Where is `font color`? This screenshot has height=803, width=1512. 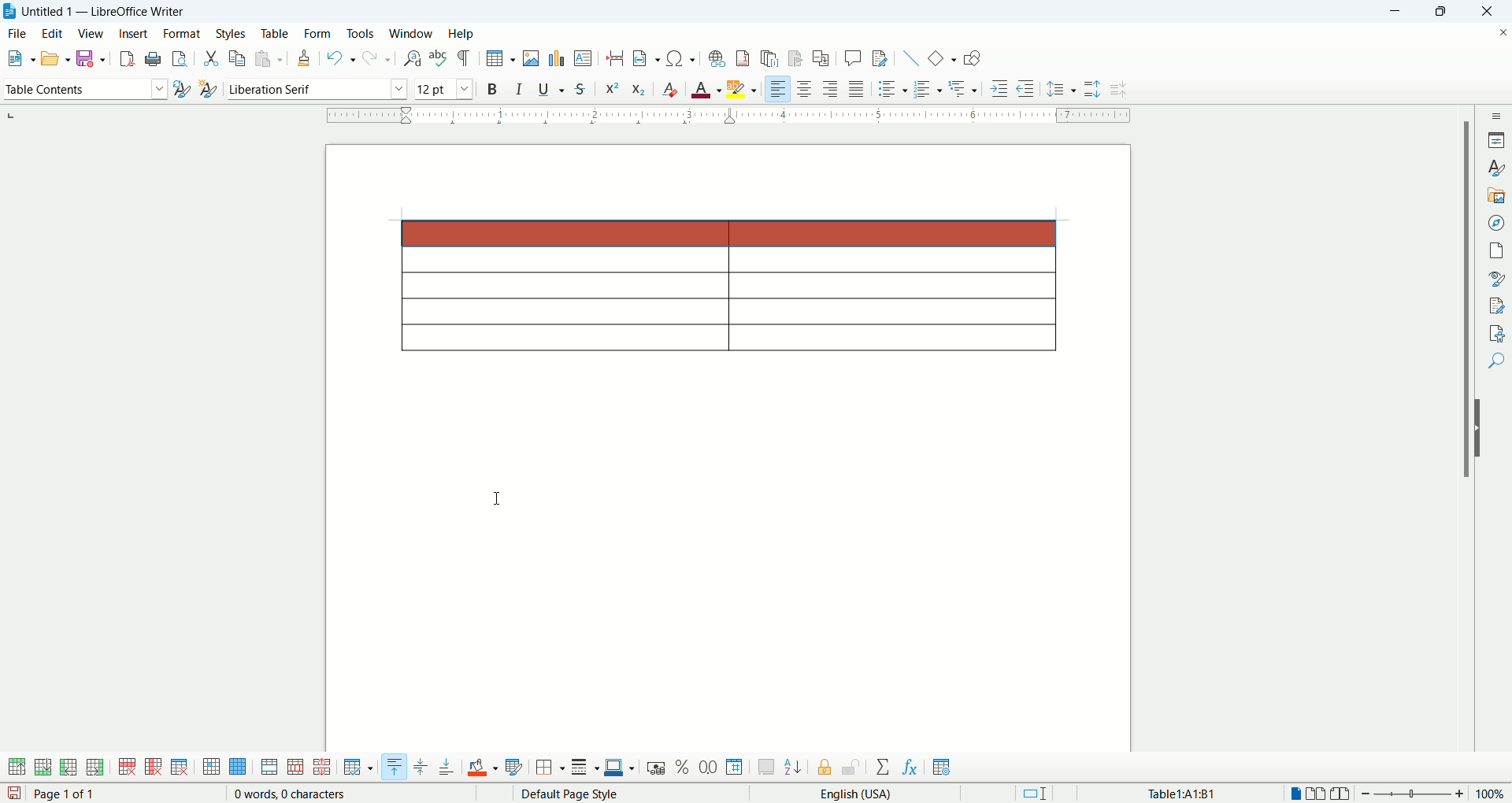
font color is located at coordinates (707, 87).